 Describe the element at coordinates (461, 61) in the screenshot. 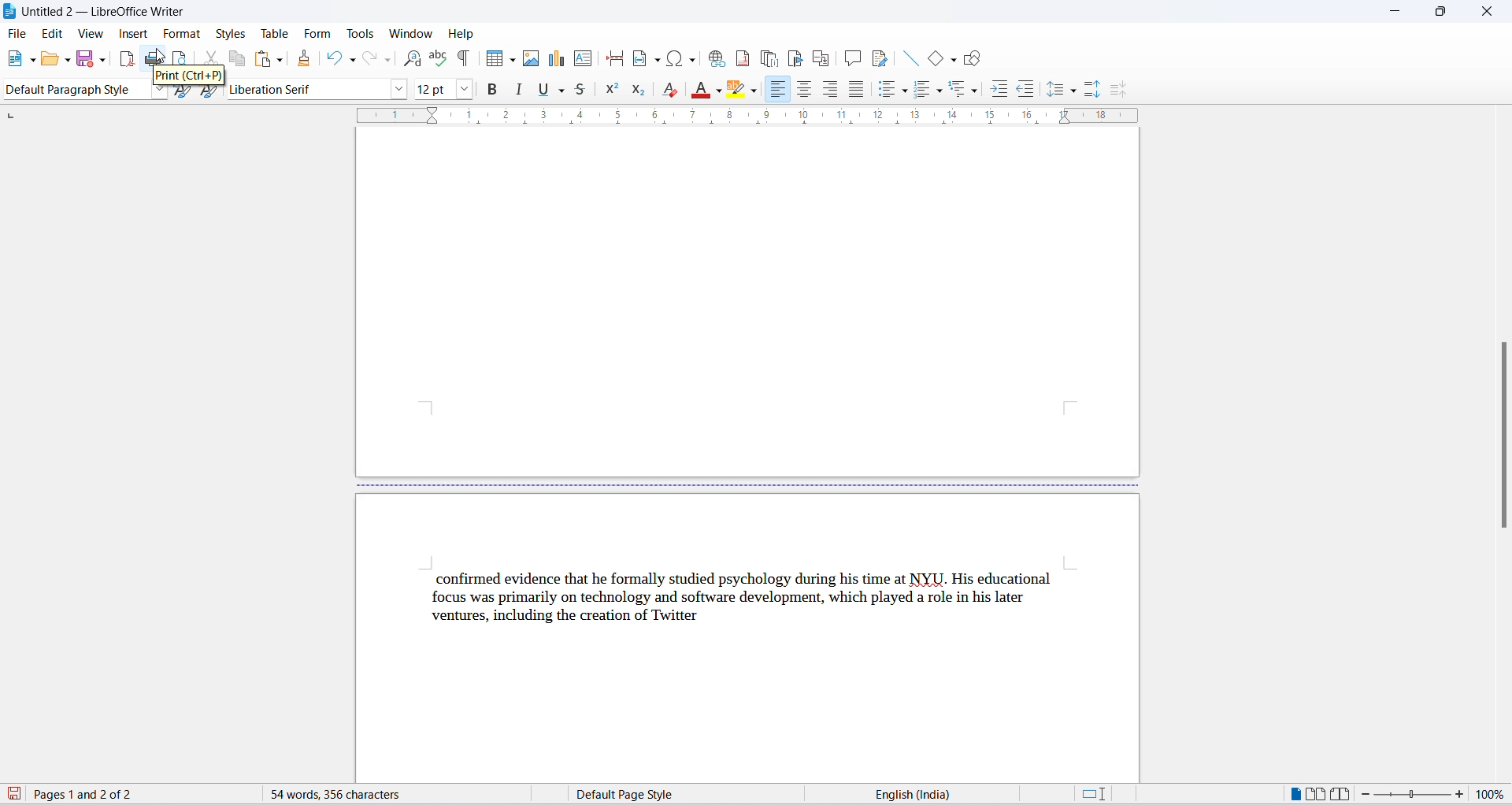

I see `toggle formatting marks` at that location.